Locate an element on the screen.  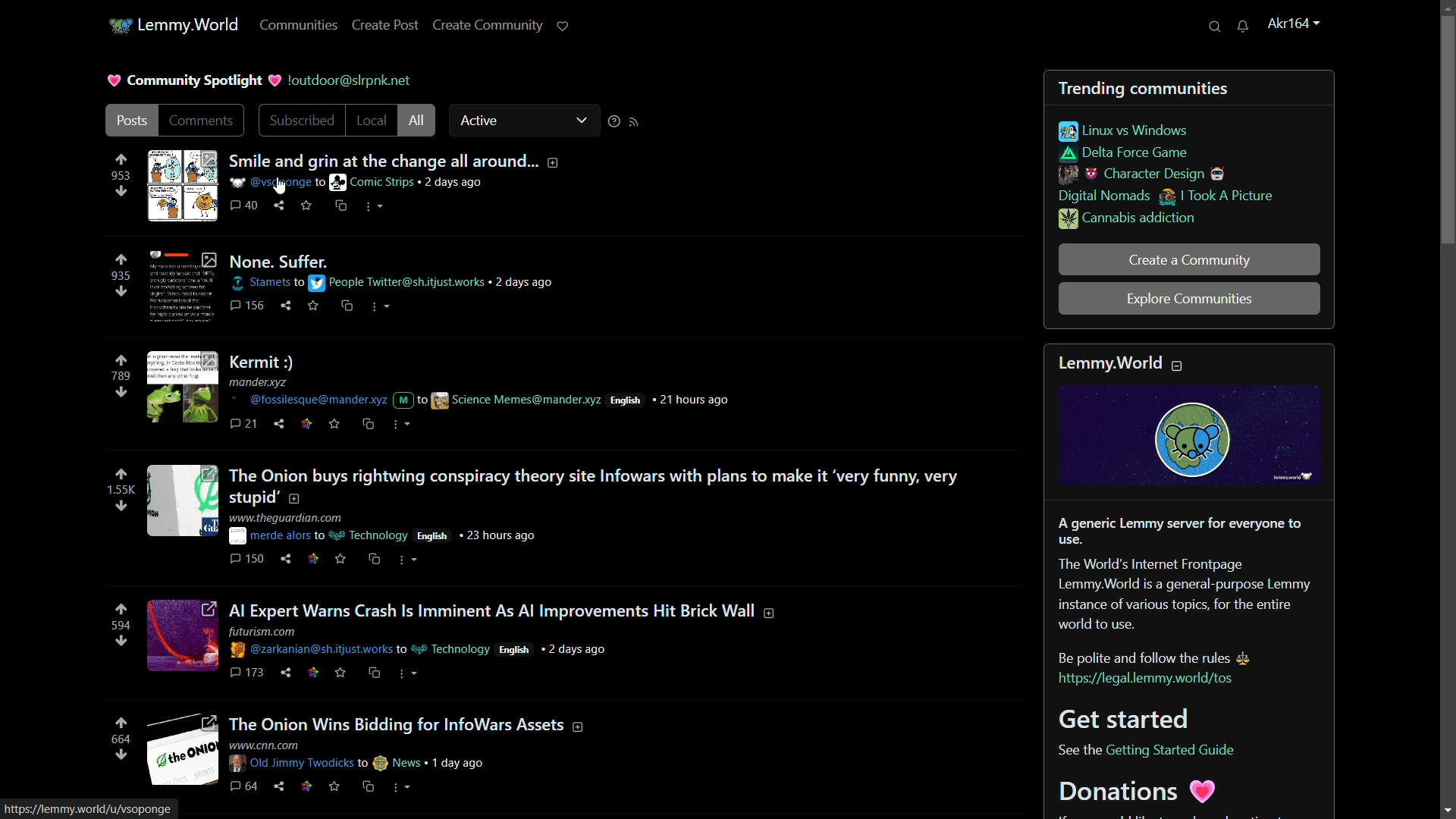
upvote is located at coordinates (121, 609).